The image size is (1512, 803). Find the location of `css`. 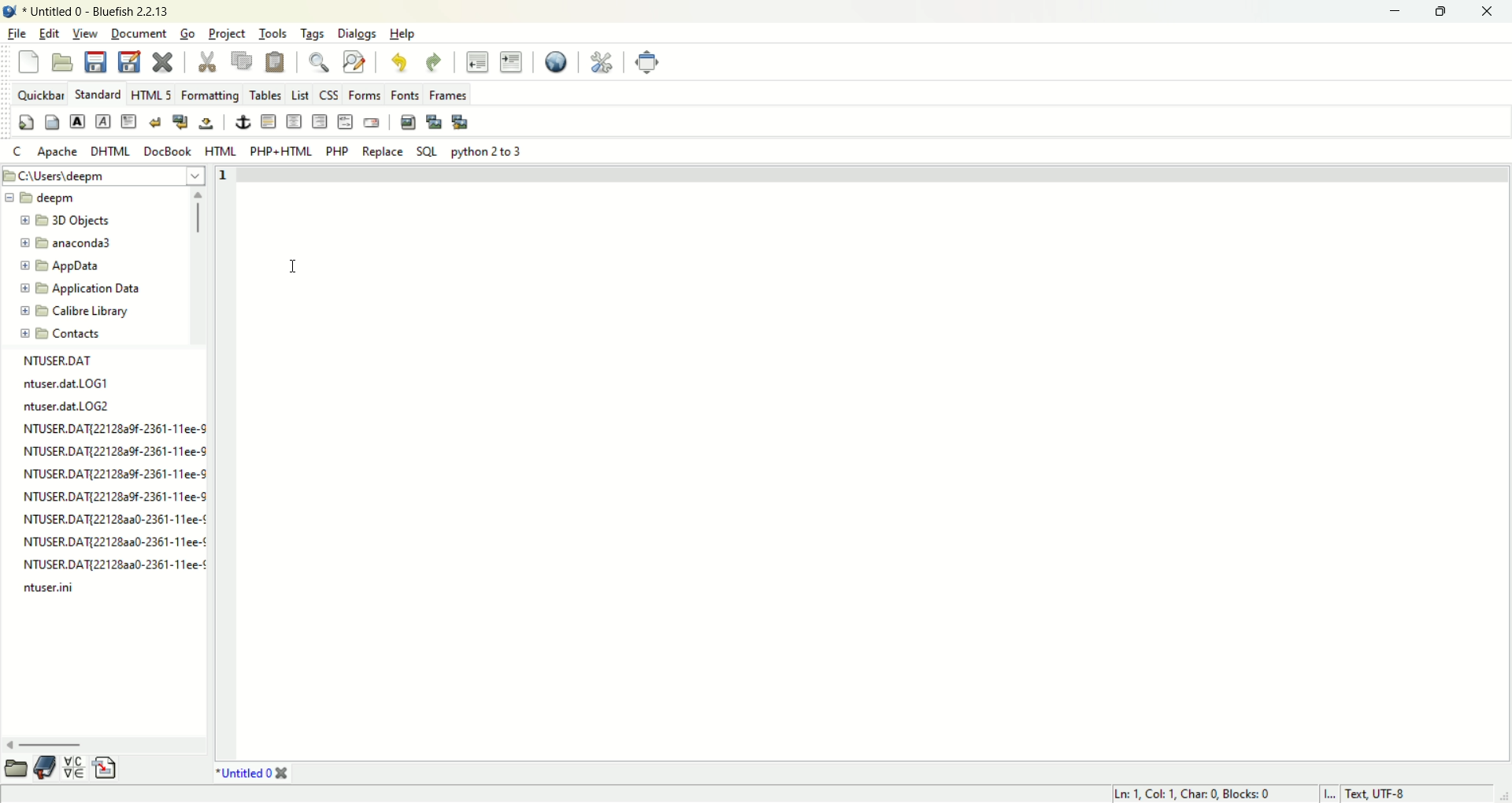

css is located at coordinates (327, 94).